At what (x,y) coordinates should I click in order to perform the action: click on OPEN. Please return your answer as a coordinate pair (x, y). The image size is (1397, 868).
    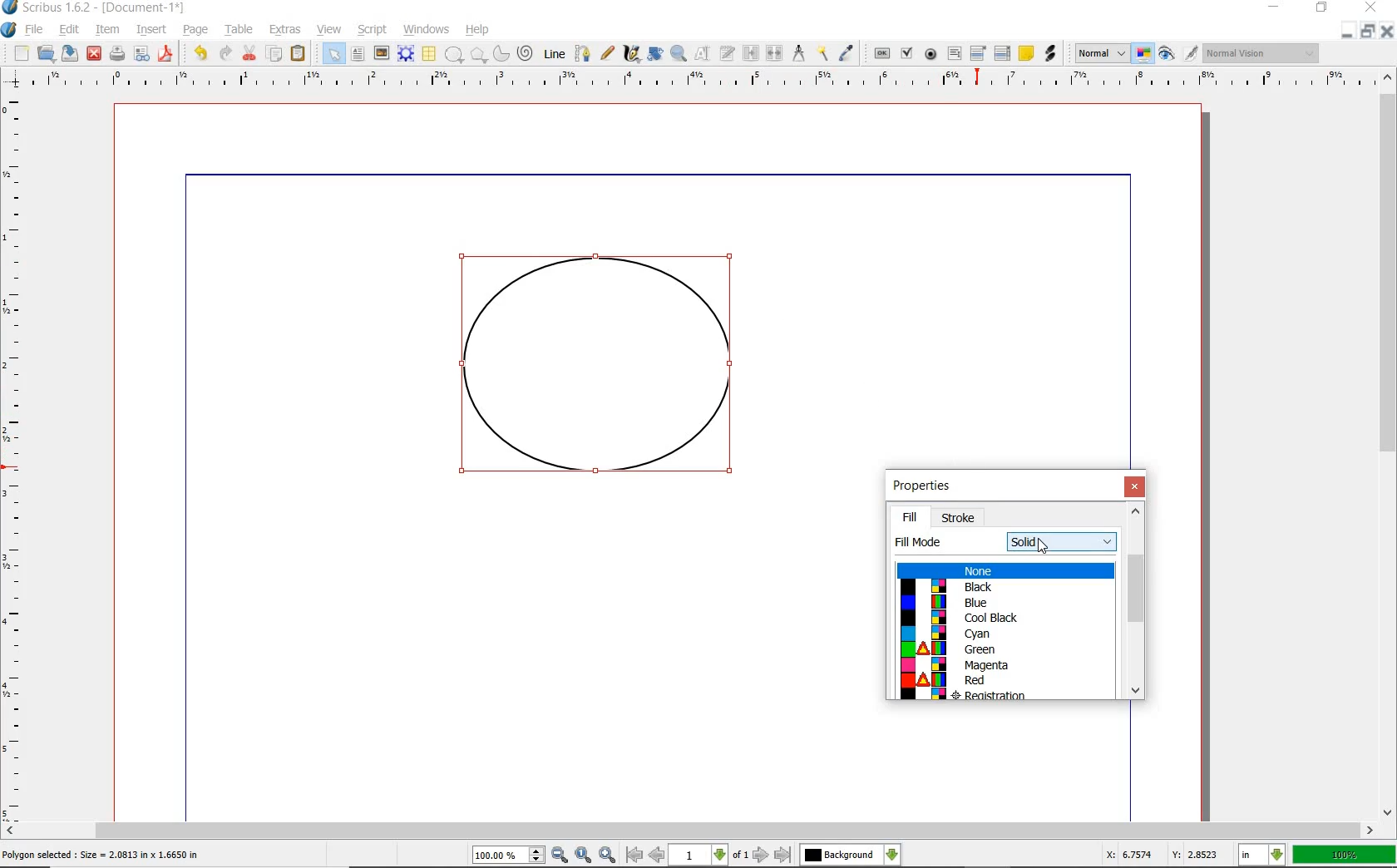
    Looking at the image, I should click on (46, 52).